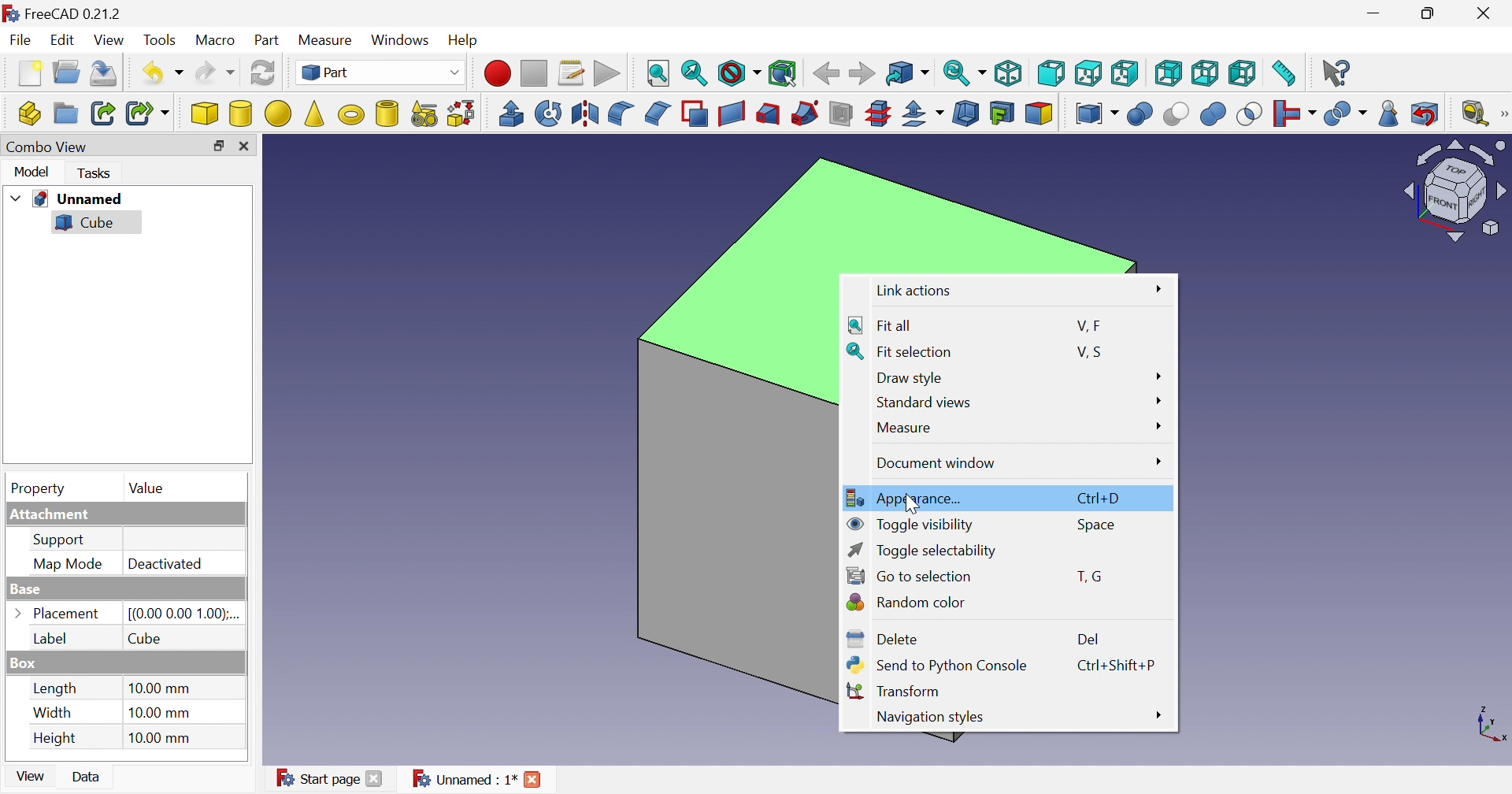 This screenshot has height=794, width=1512. I want to click on Label, so click(51, 637).